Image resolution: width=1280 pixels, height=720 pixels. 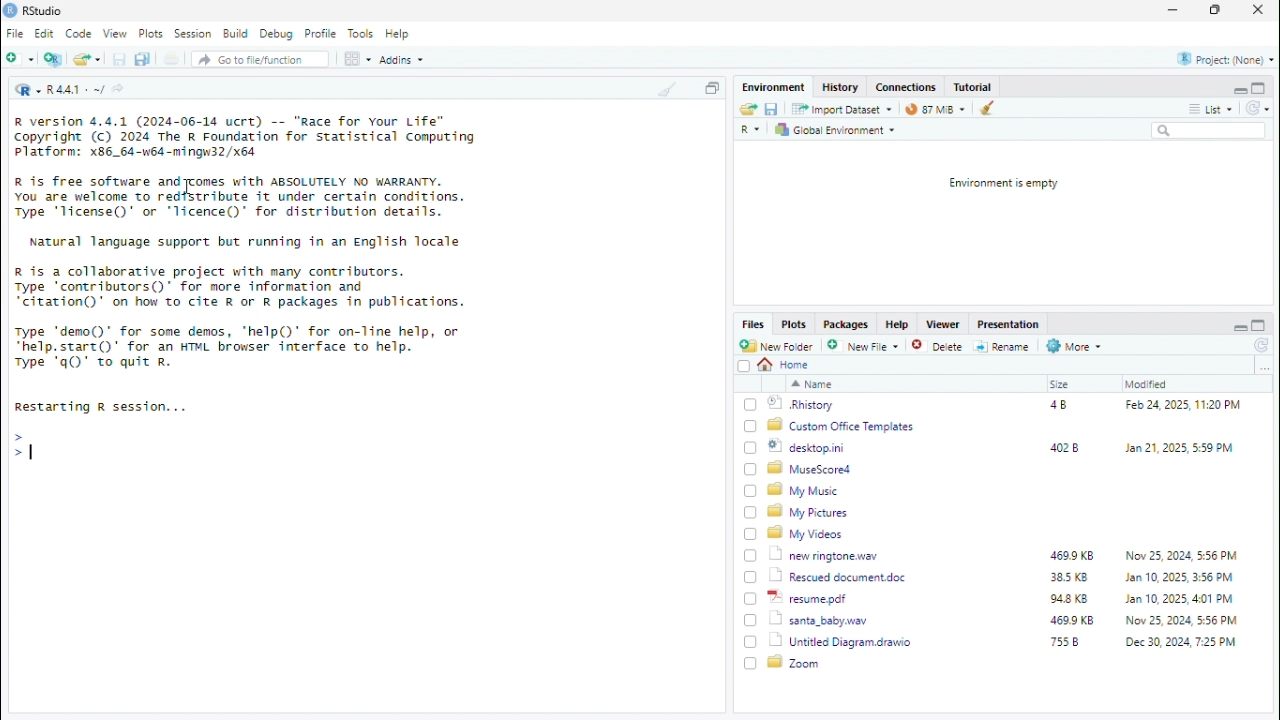 I want to click on Tools, so click(x=363, y=33).